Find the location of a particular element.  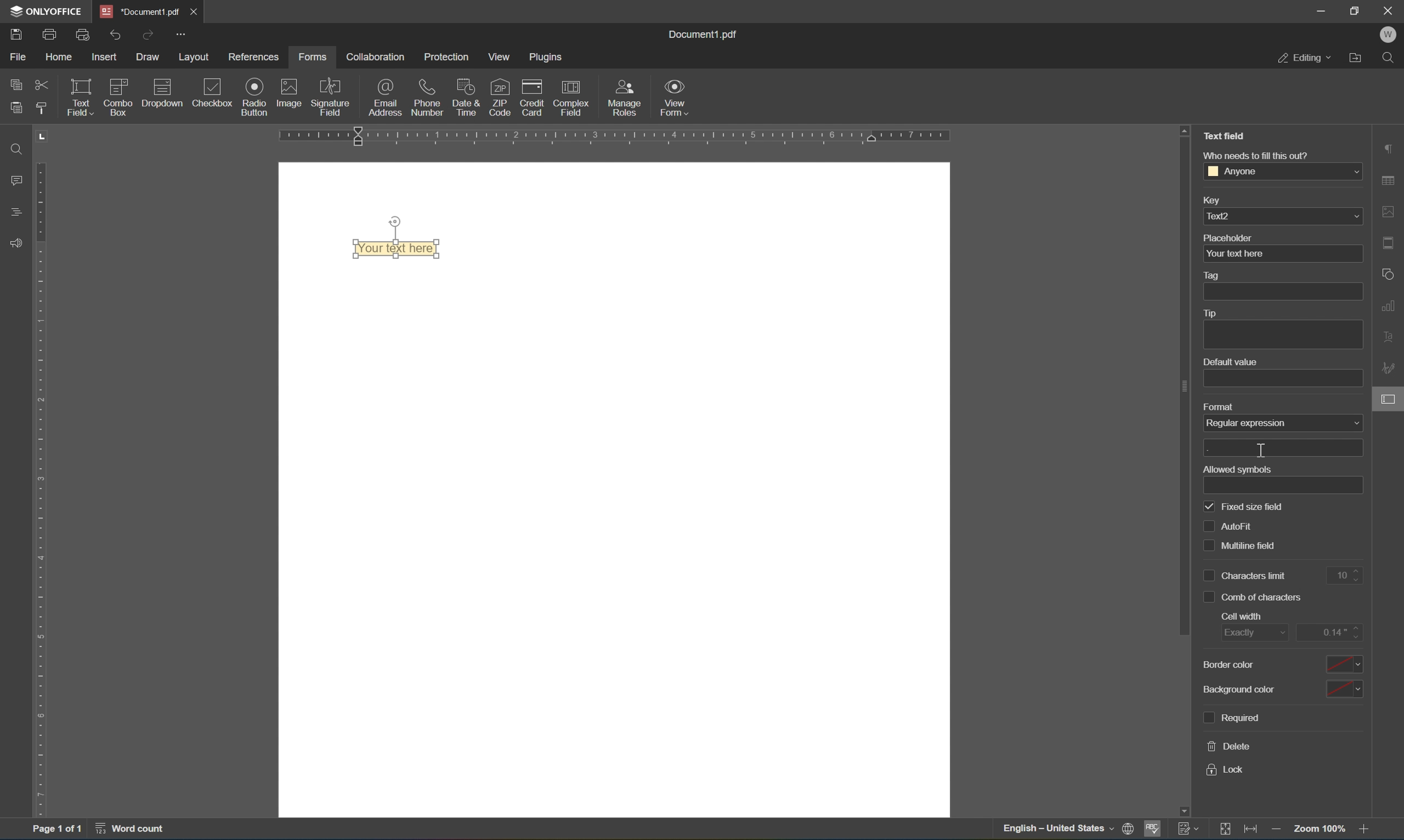

spell checking is located at coordinates (1154, 829).